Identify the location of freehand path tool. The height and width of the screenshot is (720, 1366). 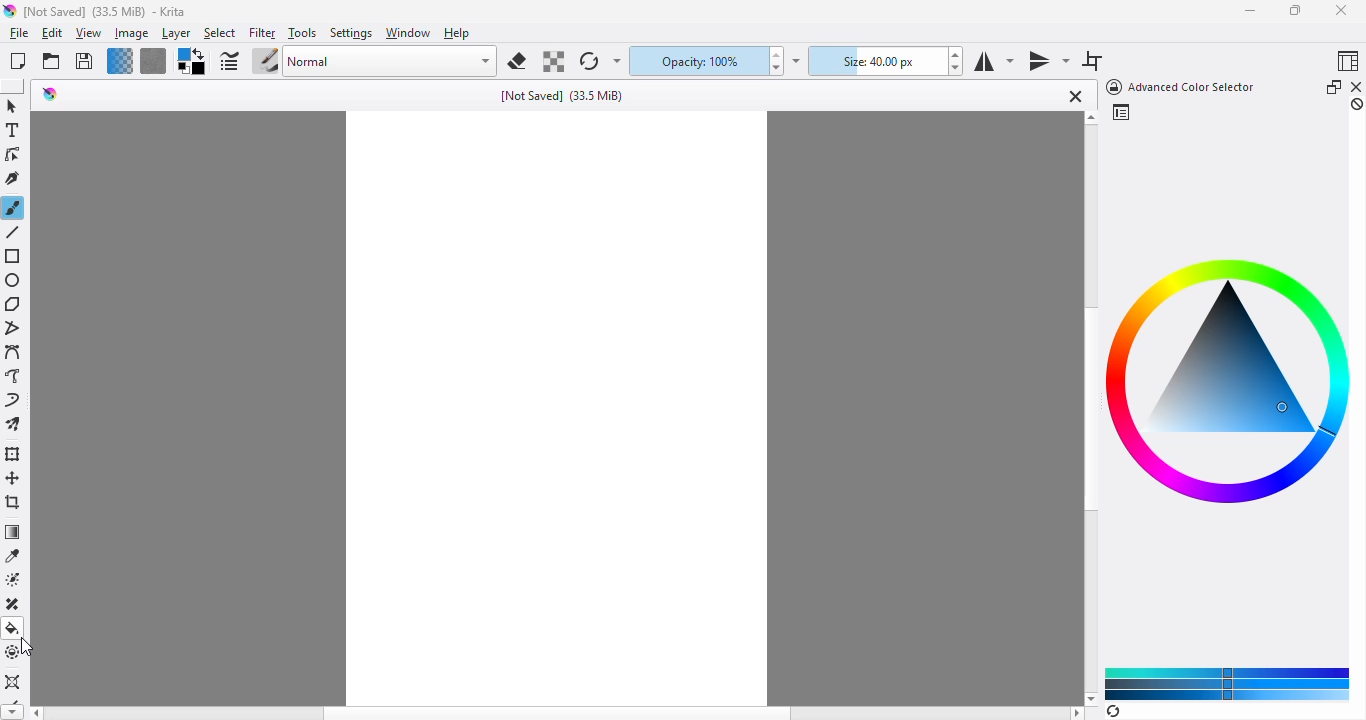
(14, 375).